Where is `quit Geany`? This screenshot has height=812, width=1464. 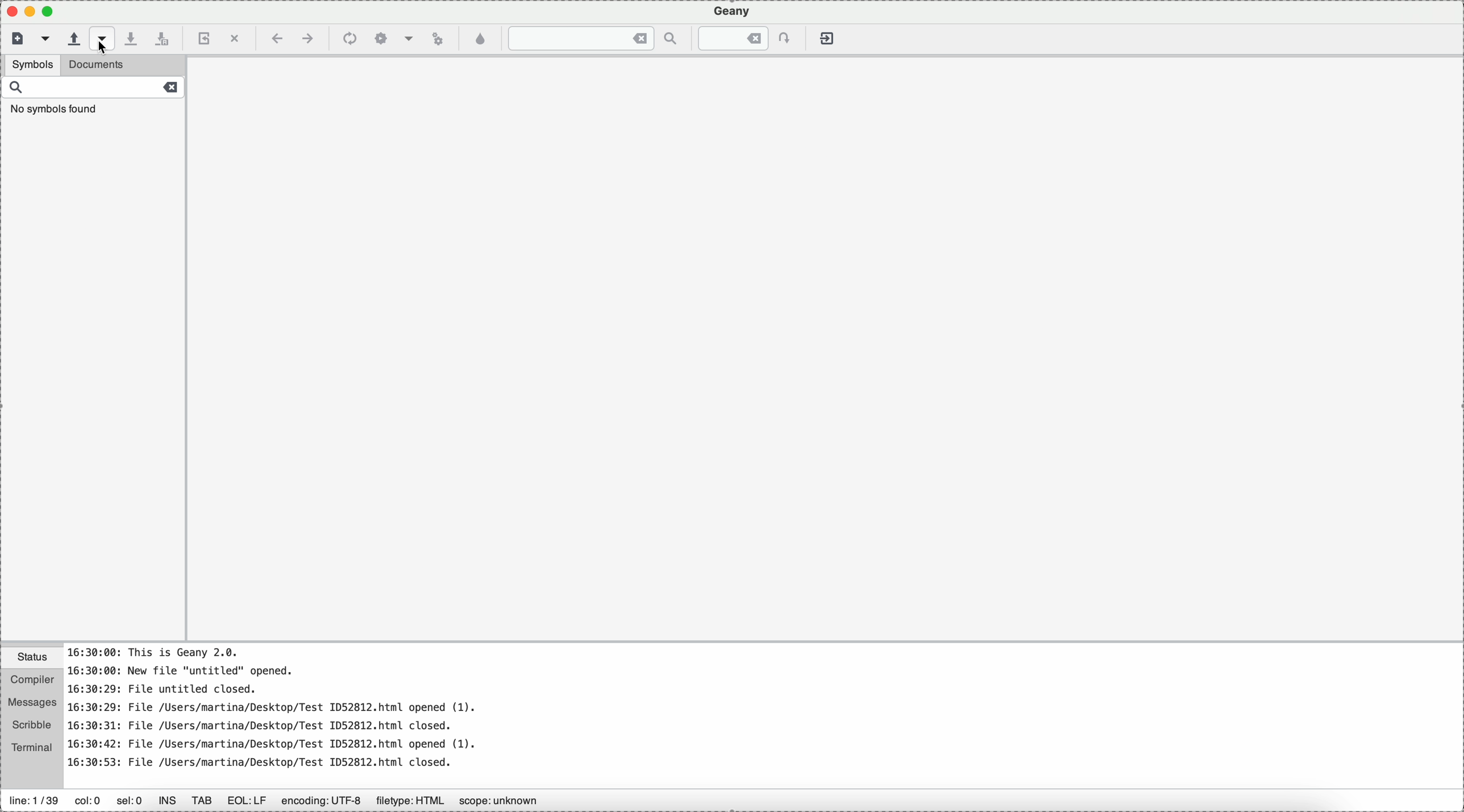
quit Geany is located at coordinates (826, 37).